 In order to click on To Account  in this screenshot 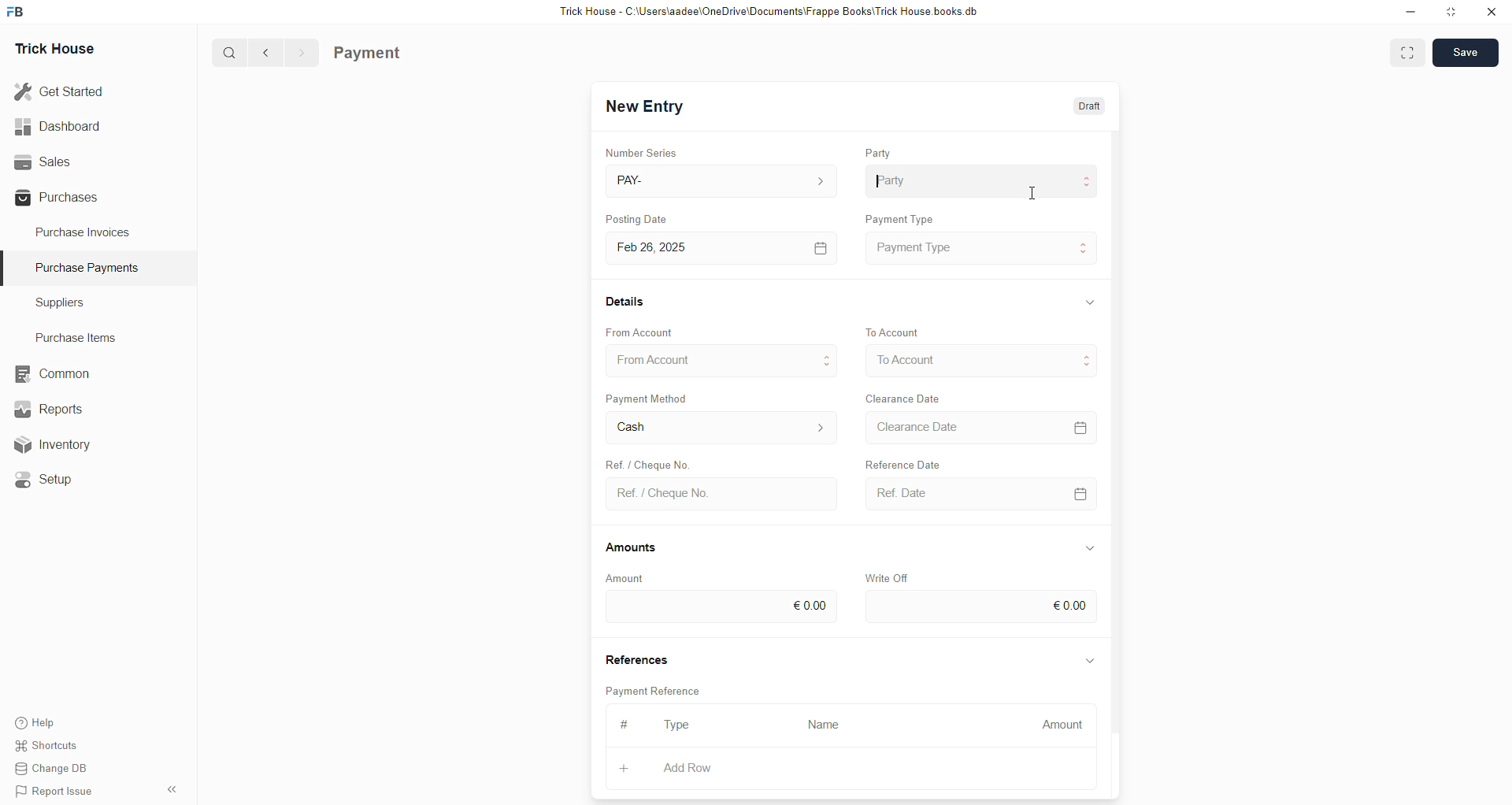, I will do `click(978, 362)`.